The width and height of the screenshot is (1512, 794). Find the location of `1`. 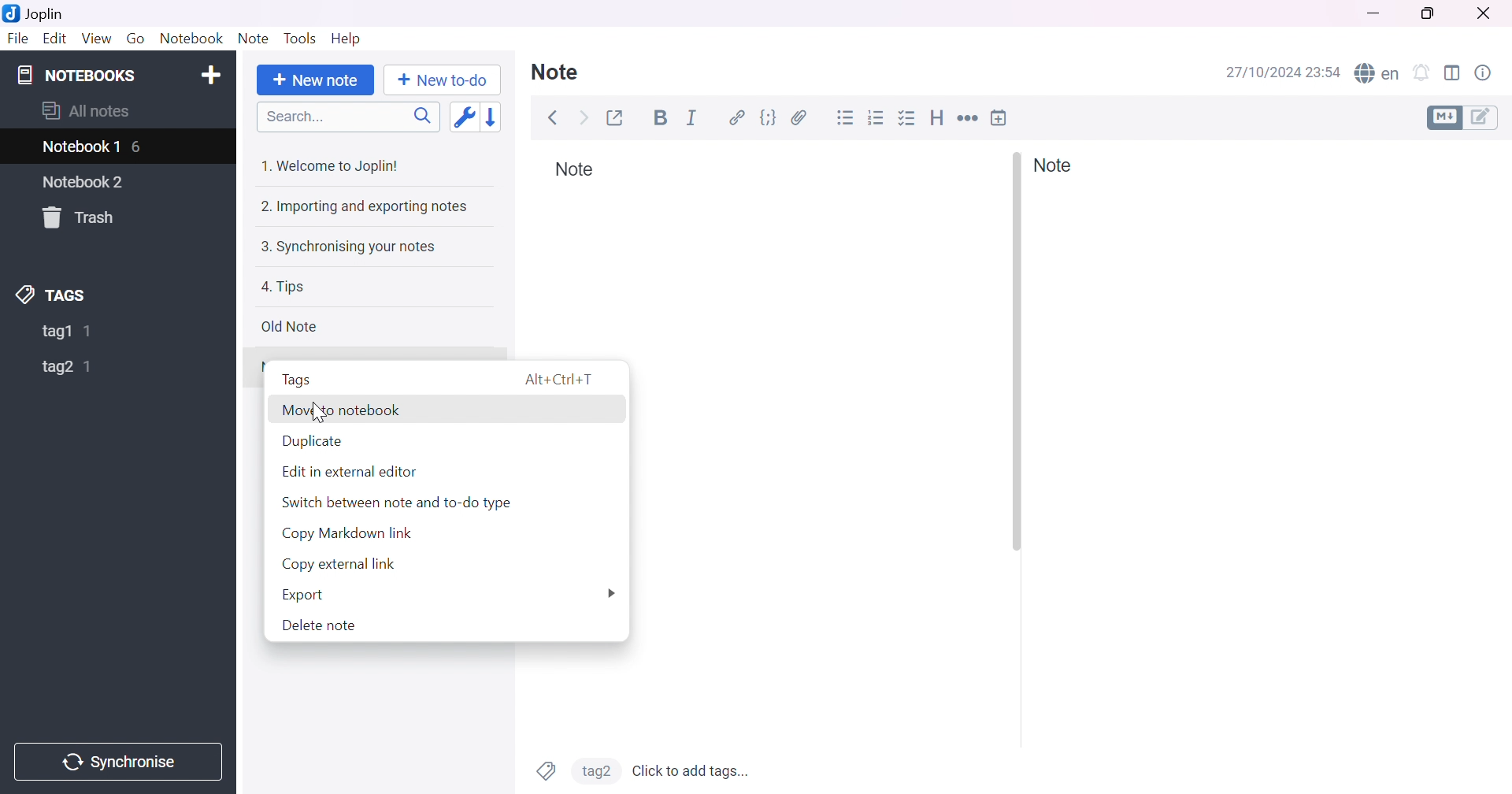

1 is located at coordinates (91, 331).